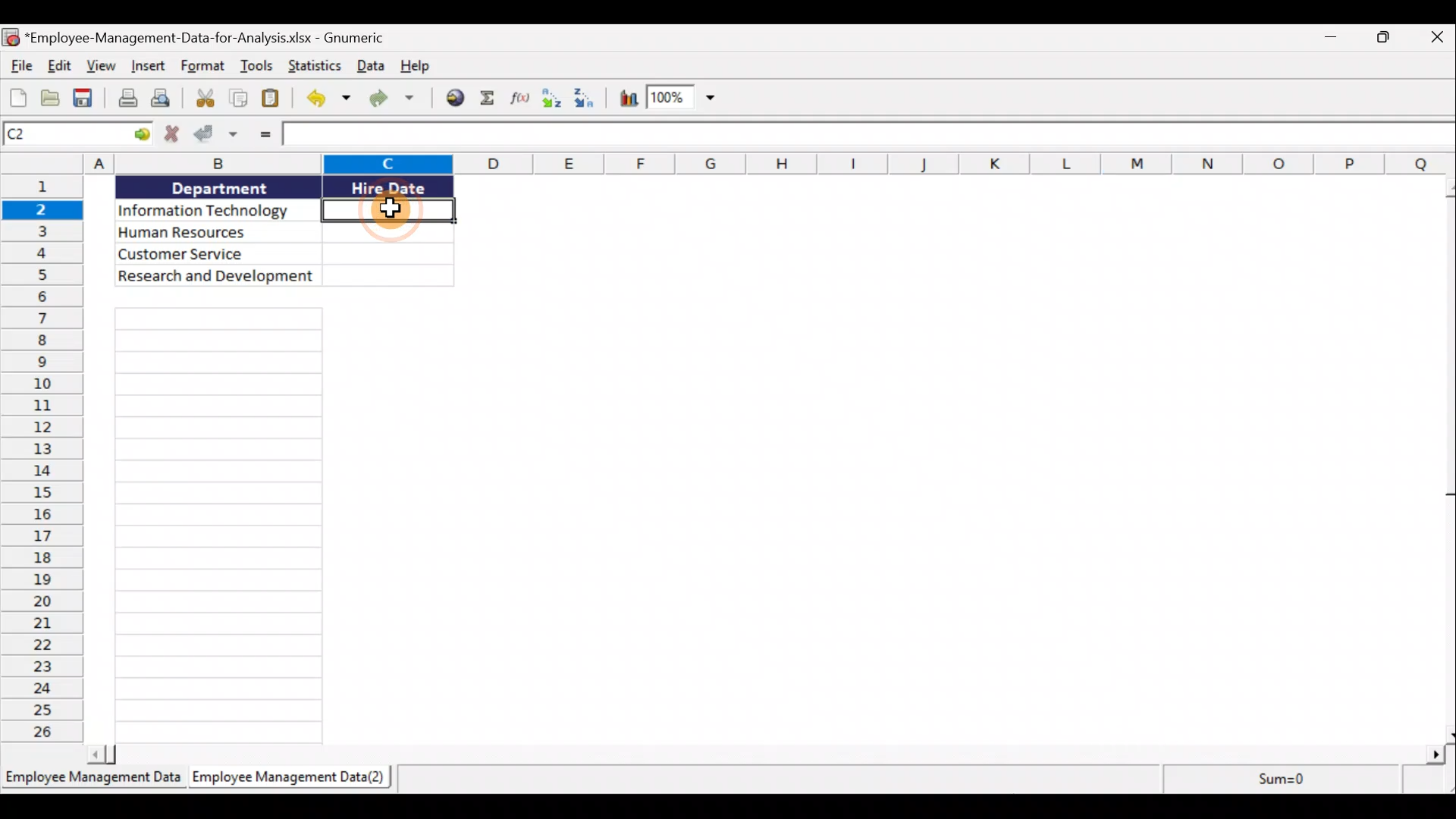 The height and width of the screenshot is (819, 1456). What do you see at coordinates (763, 755) in the screenshot?
I see `Scroll bar` at bounding box center [763, 755].